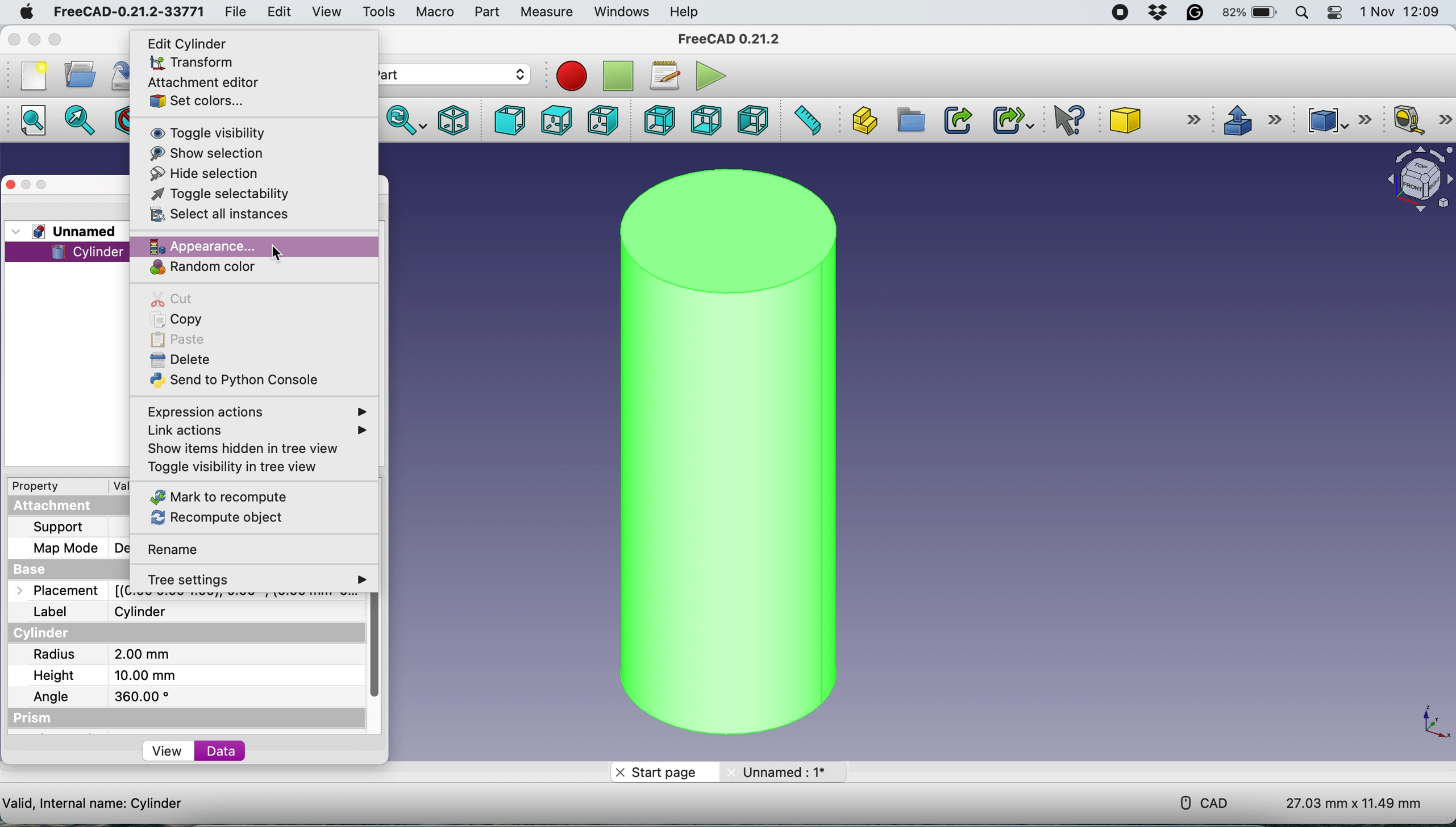 The image size is (1456, 827). Describe the element at coordinates (199, 101) in the screenshot. I see `set colors` at that location.